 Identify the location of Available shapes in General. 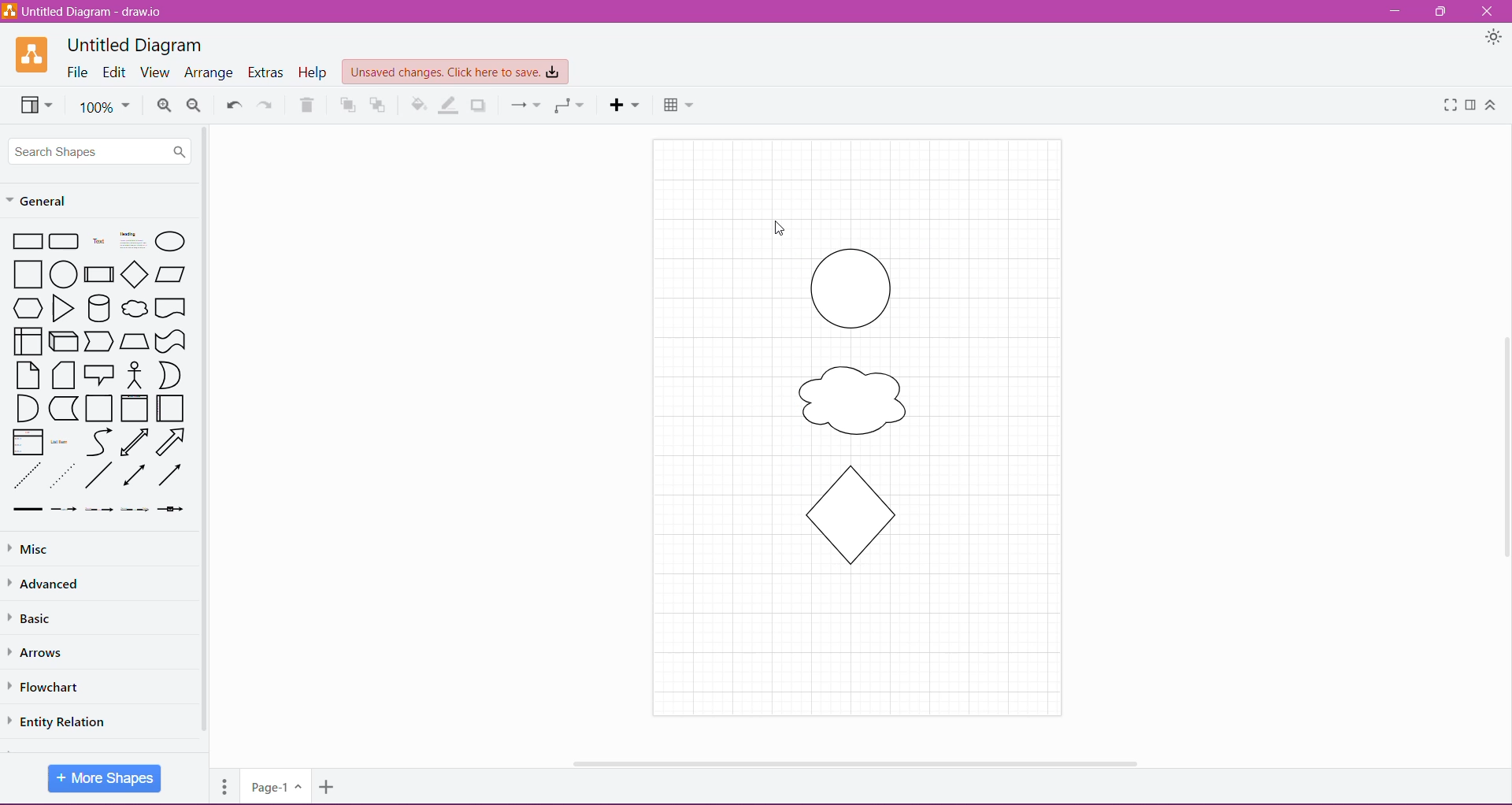
(99, 373).